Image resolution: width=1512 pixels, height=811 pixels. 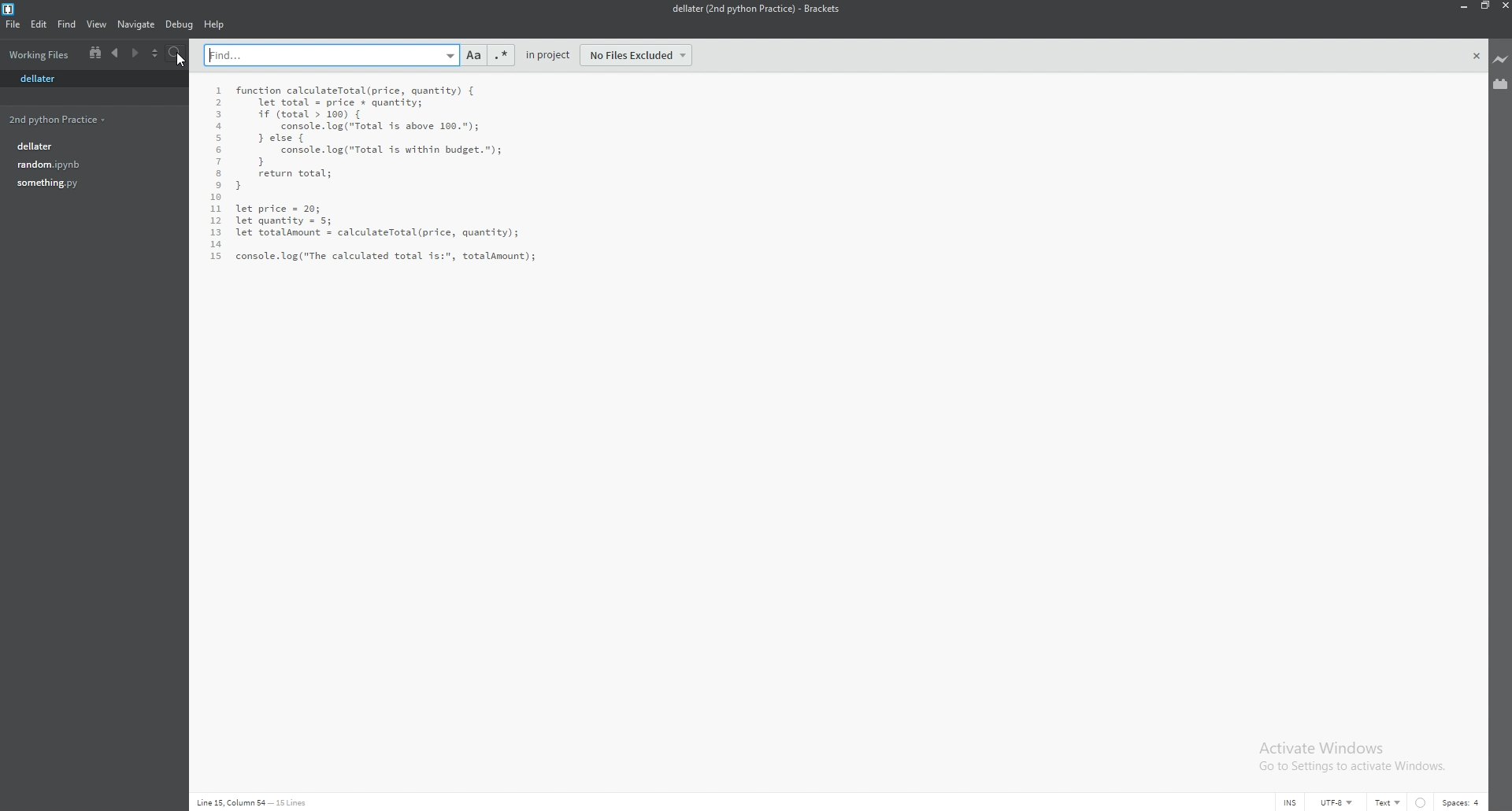 What do you see at coordinates (1482, 6) in the screenshot?
I see `resize` at bounding box center [1482, 6].